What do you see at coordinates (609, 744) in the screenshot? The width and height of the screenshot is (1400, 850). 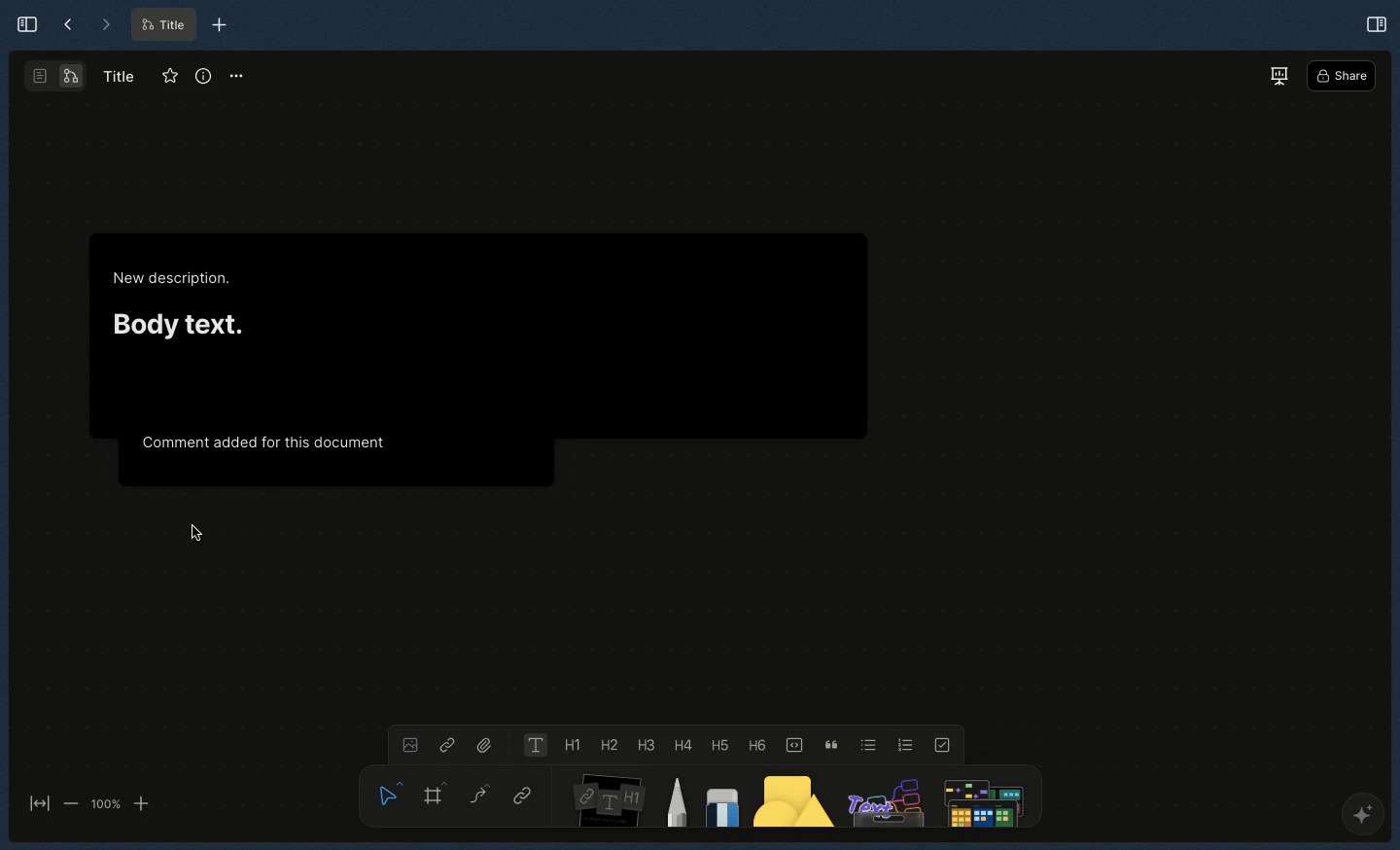 I see `Heading 2` at bounding box center [609, 744].